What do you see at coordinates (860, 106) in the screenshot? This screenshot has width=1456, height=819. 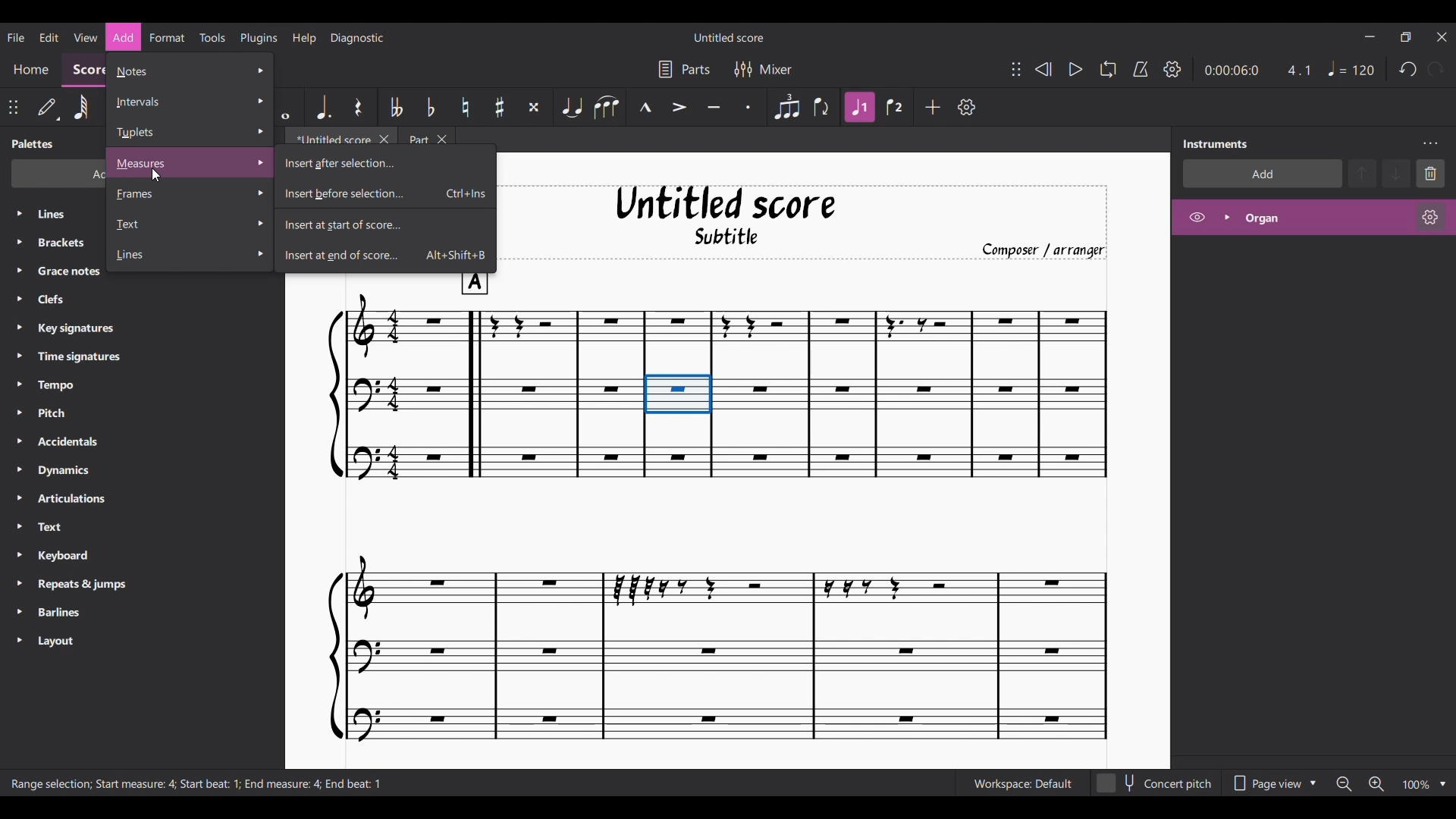 I see `Highlighted after current selection` at bounding box center [860, 106].